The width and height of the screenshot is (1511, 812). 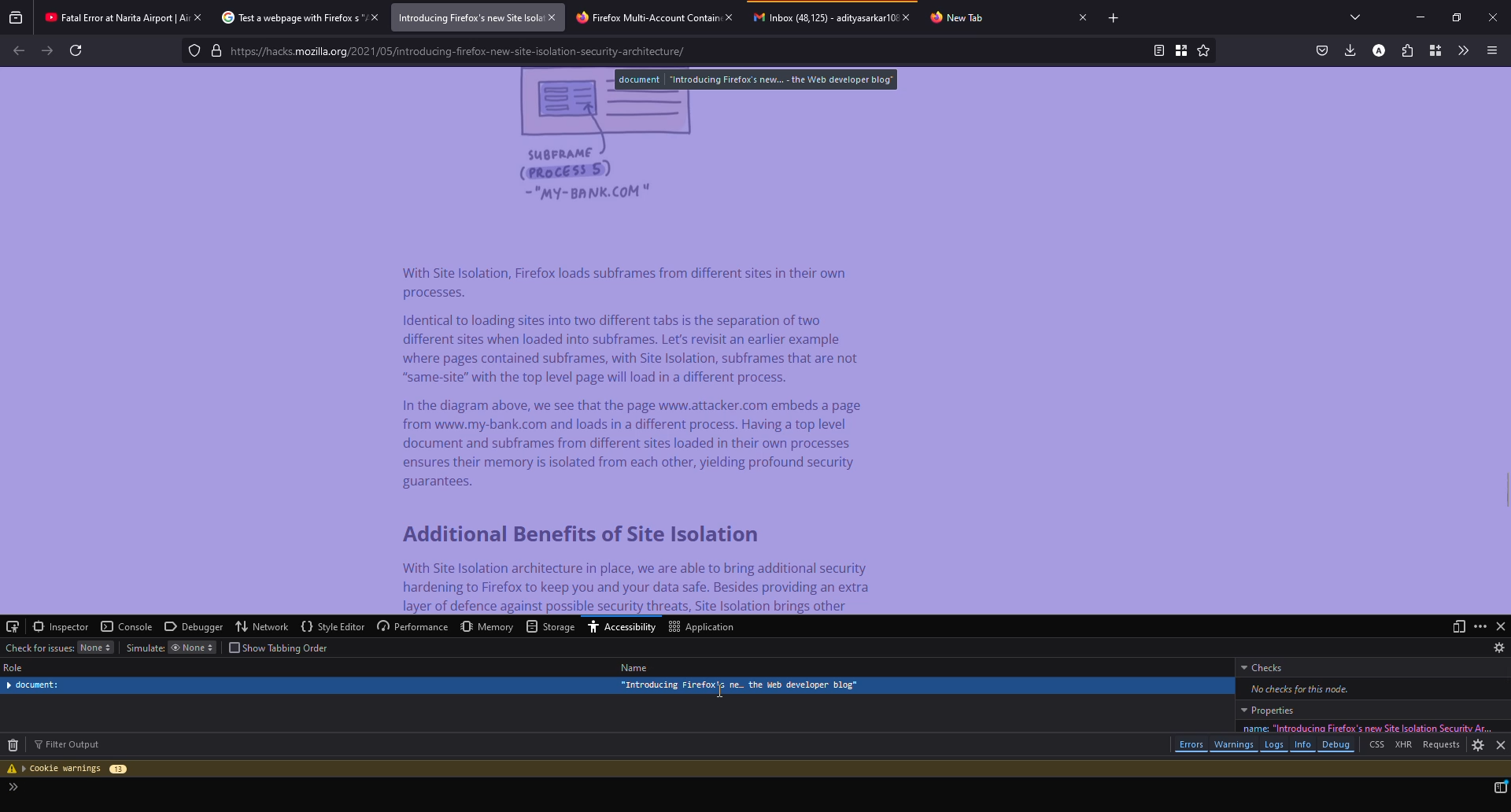 I want to click on Cursor, so click(x=719, y=691).